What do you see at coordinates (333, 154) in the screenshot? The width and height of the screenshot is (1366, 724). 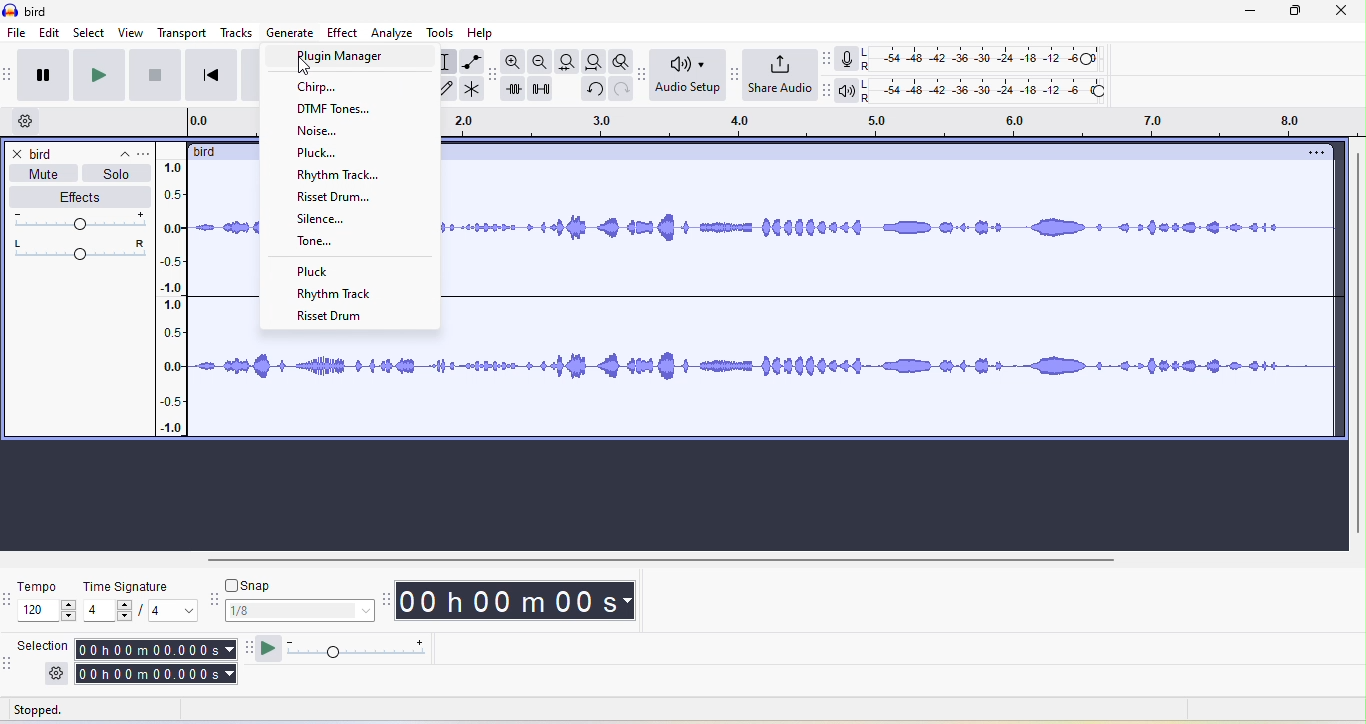 I see `pluck` at bounding box center [333, 154].